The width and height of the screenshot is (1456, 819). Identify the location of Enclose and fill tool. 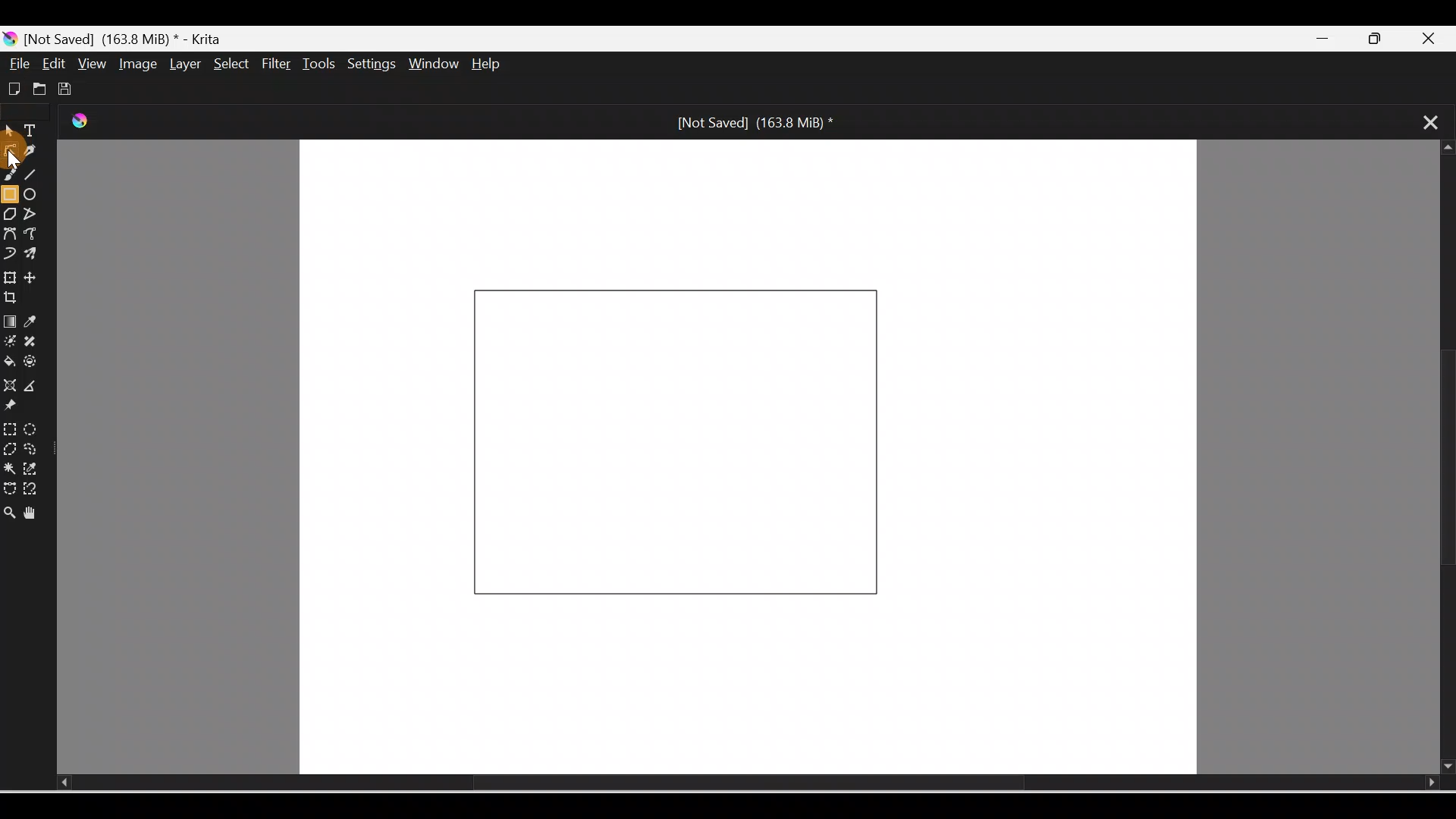
(36, 365).